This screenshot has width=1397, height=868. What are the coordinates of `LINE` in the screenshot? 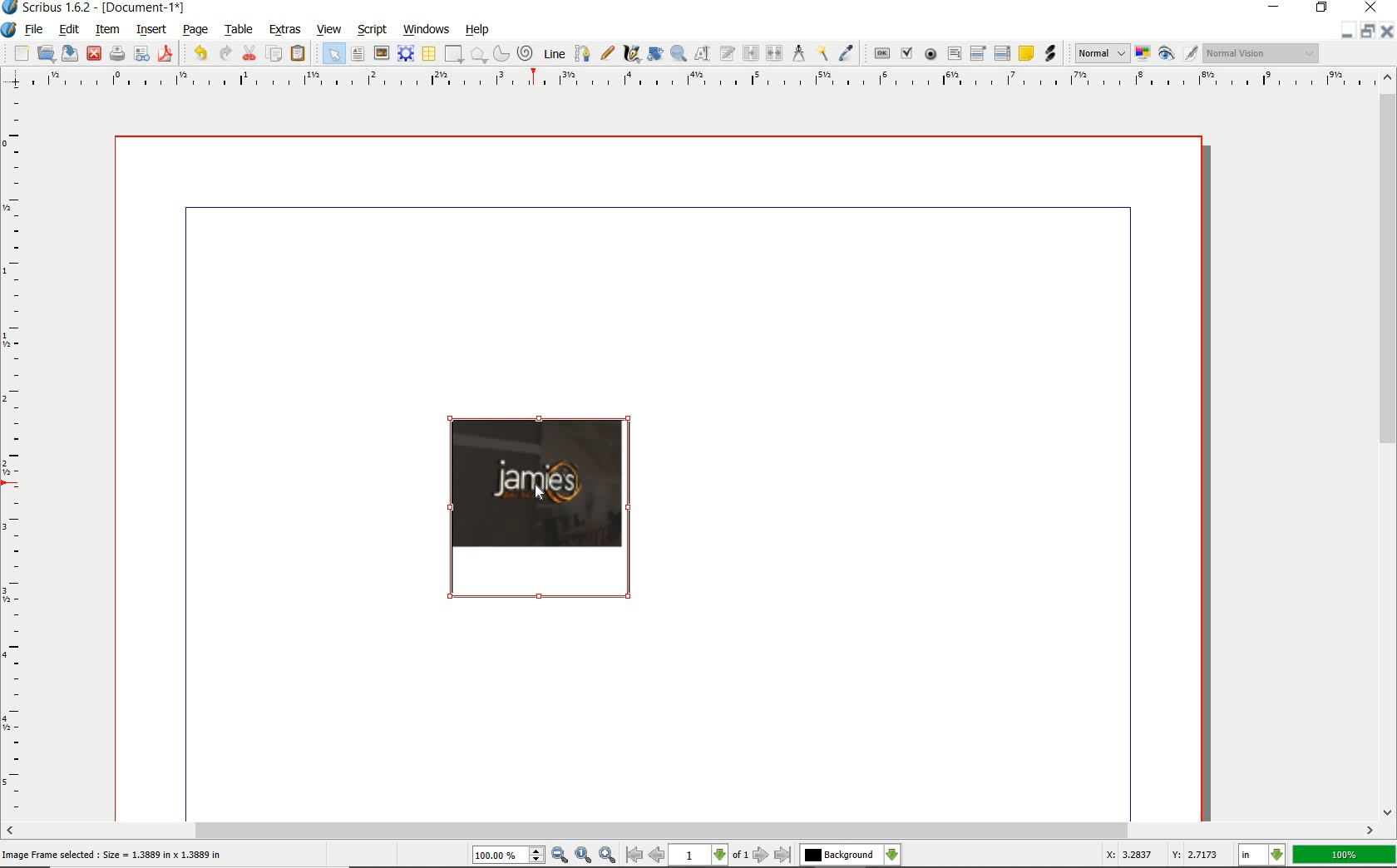 It's located at (555, 55).